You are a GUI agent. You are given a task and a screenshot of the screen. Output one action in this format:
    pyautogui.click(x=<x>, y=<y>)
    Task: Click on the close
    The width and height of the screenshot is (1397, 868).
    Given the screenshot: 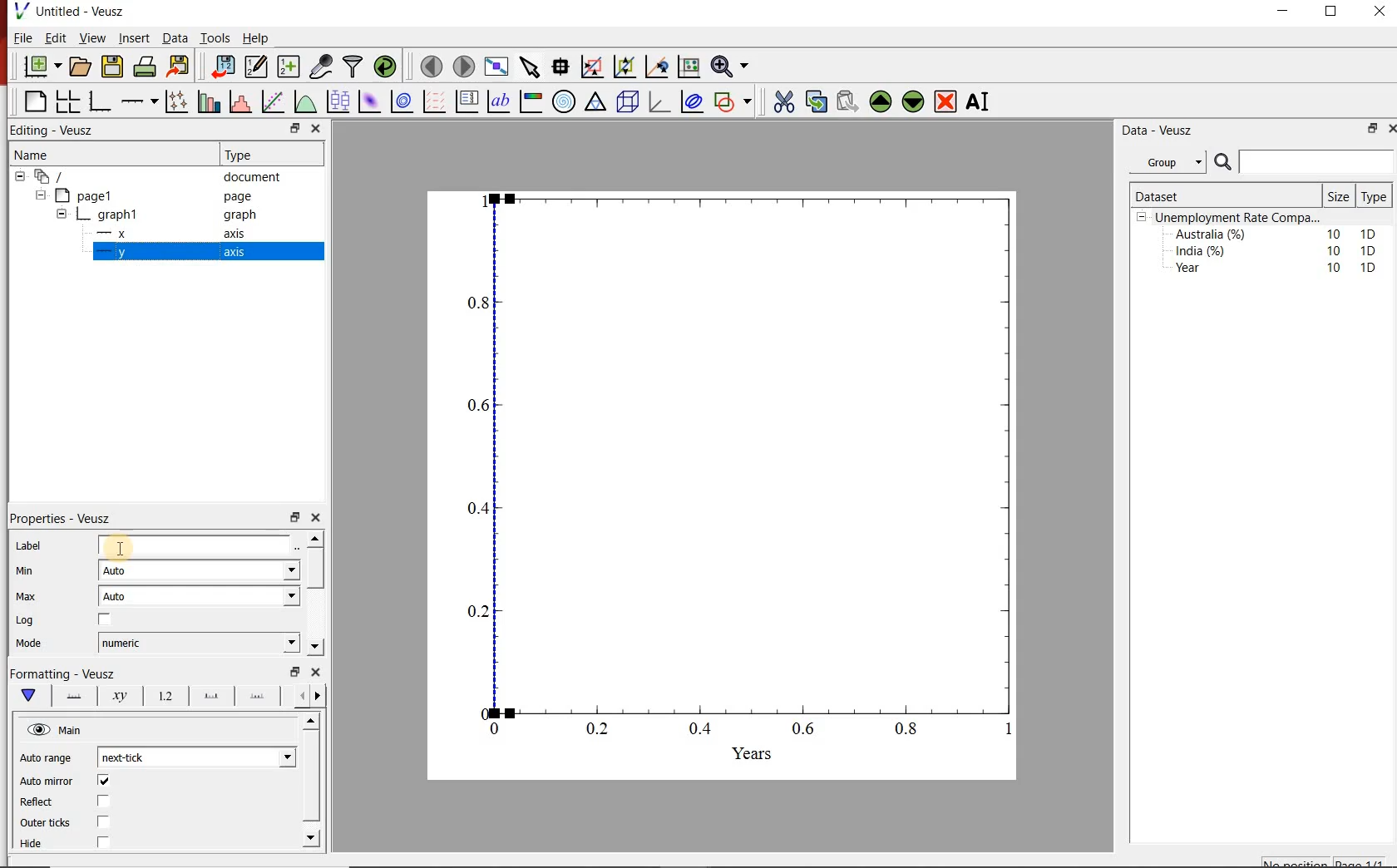 What is the action you would take?
    pyautogui.click(x=317, y=672)
    